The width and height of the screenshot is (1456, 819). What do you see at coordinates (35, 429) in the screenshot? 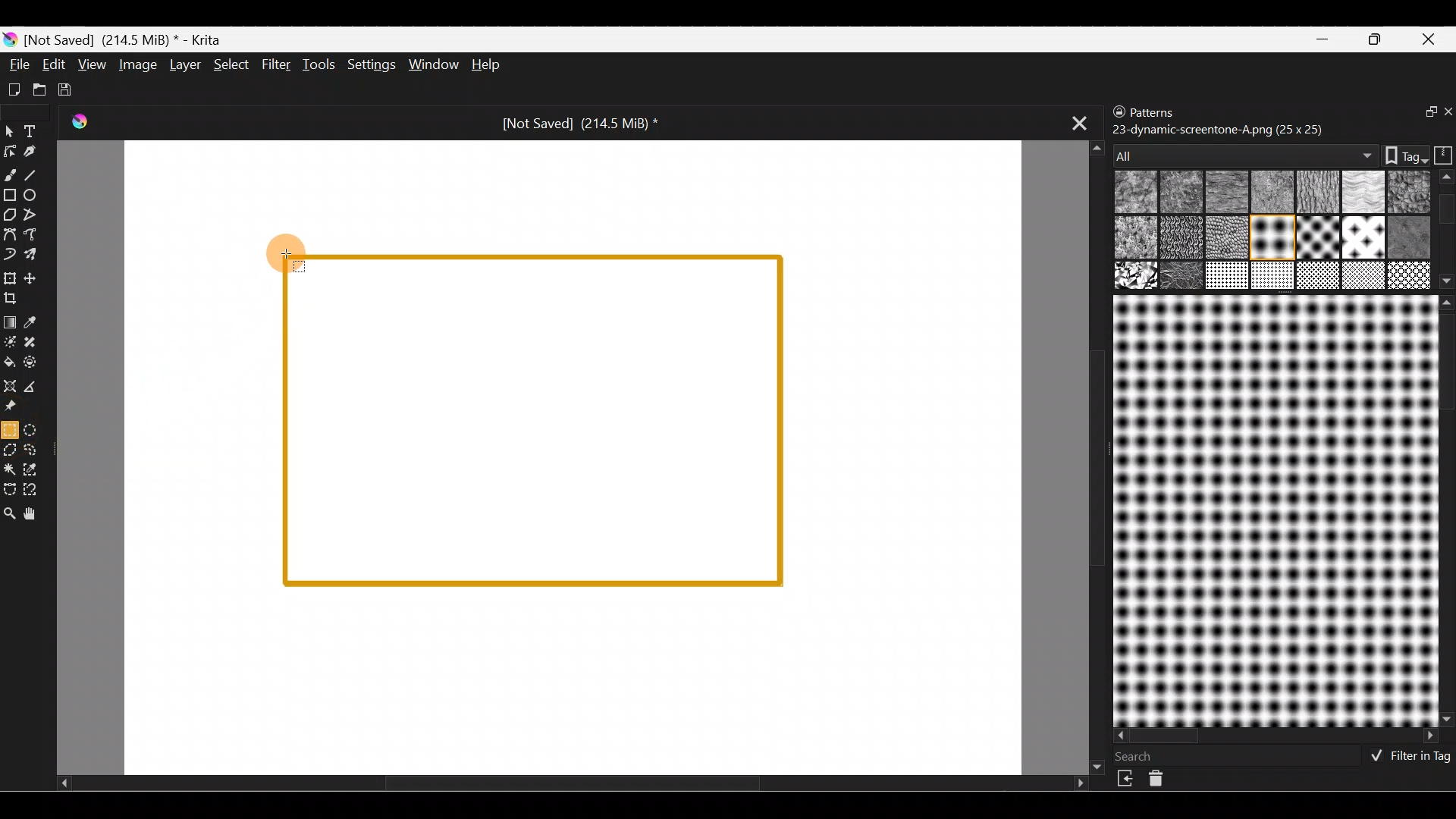
I see `Elliptical selection tool` at bounding box center [35, 429].